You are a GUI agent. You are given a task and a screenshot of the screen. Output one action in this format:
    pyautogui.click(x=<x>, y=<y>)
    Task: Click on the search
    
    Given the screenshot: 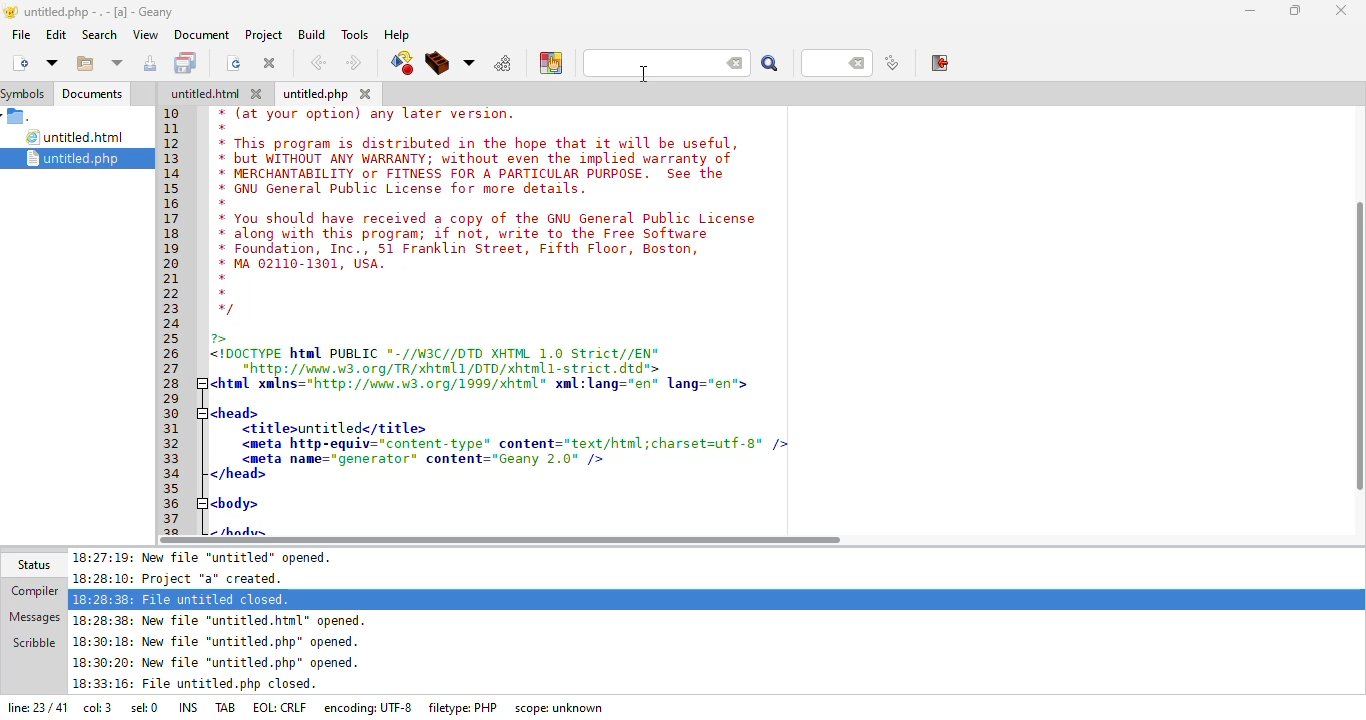 What is the action you would take?
    pyautogui.click(x=770, y=65)
    